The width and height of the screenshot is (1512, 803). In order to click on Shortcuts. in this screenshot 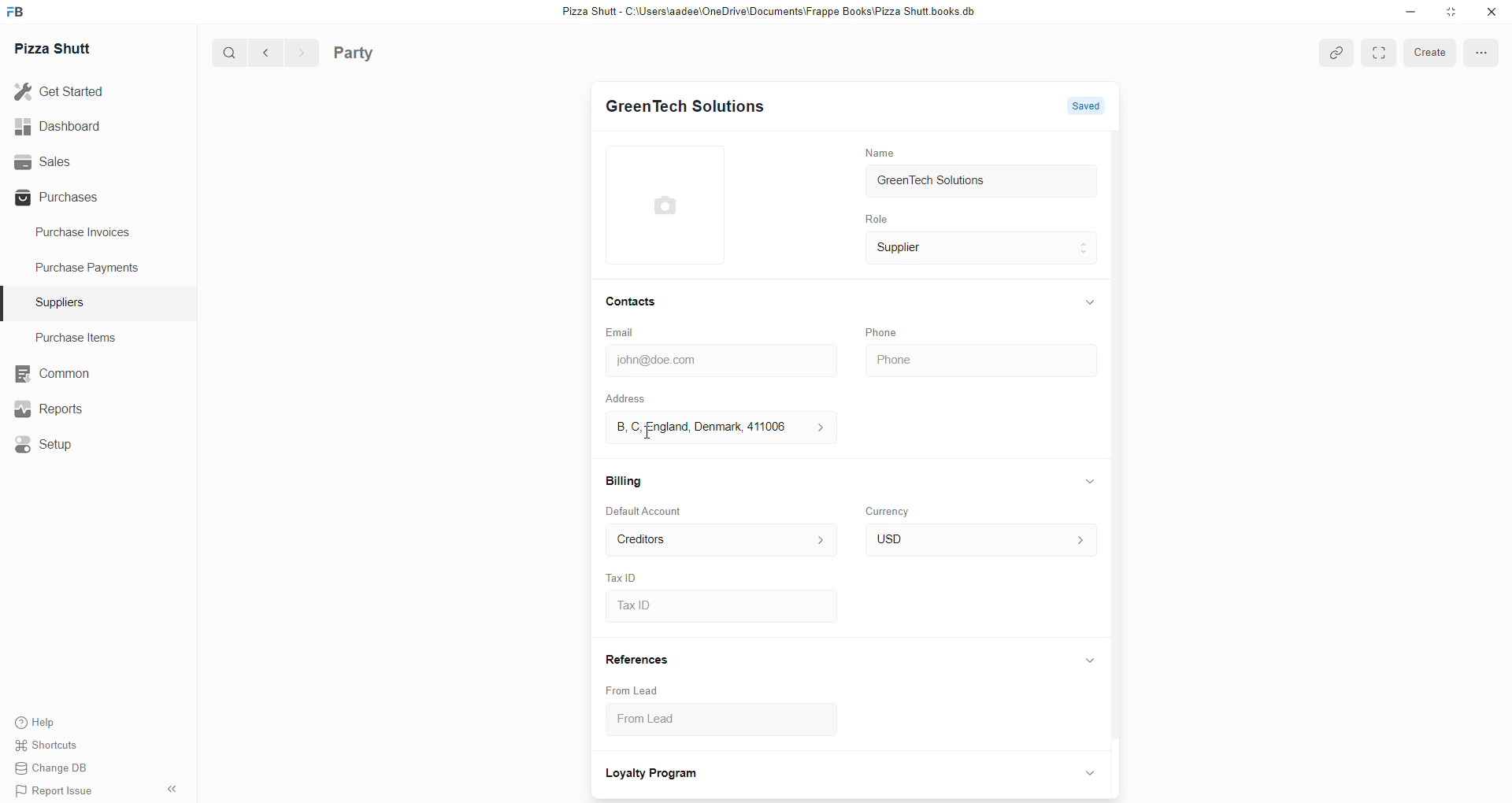, I will do `click(57, 748)`.